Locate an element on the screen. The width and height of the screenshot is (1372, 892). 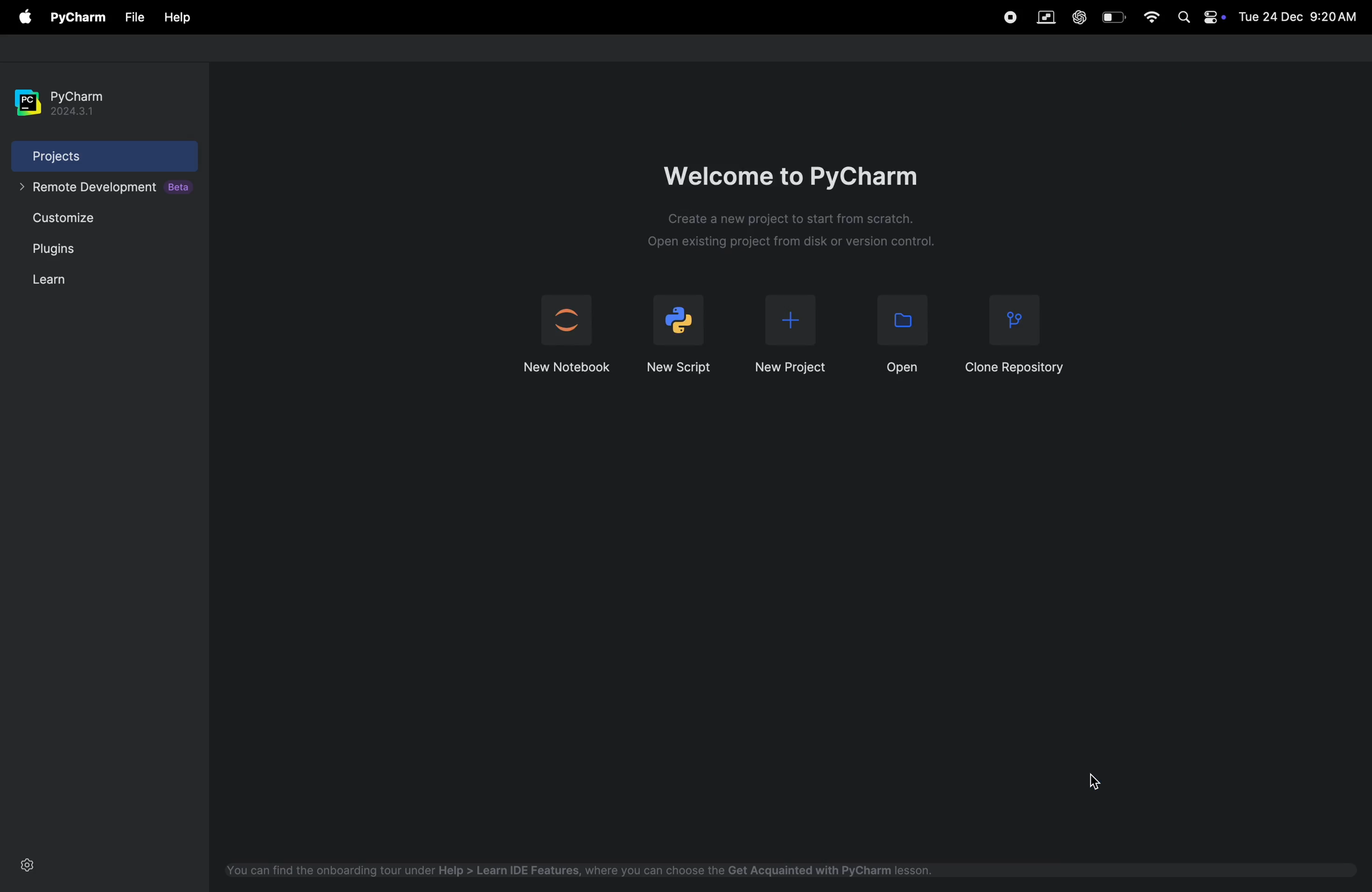
help is located at coordinates (177, 18).